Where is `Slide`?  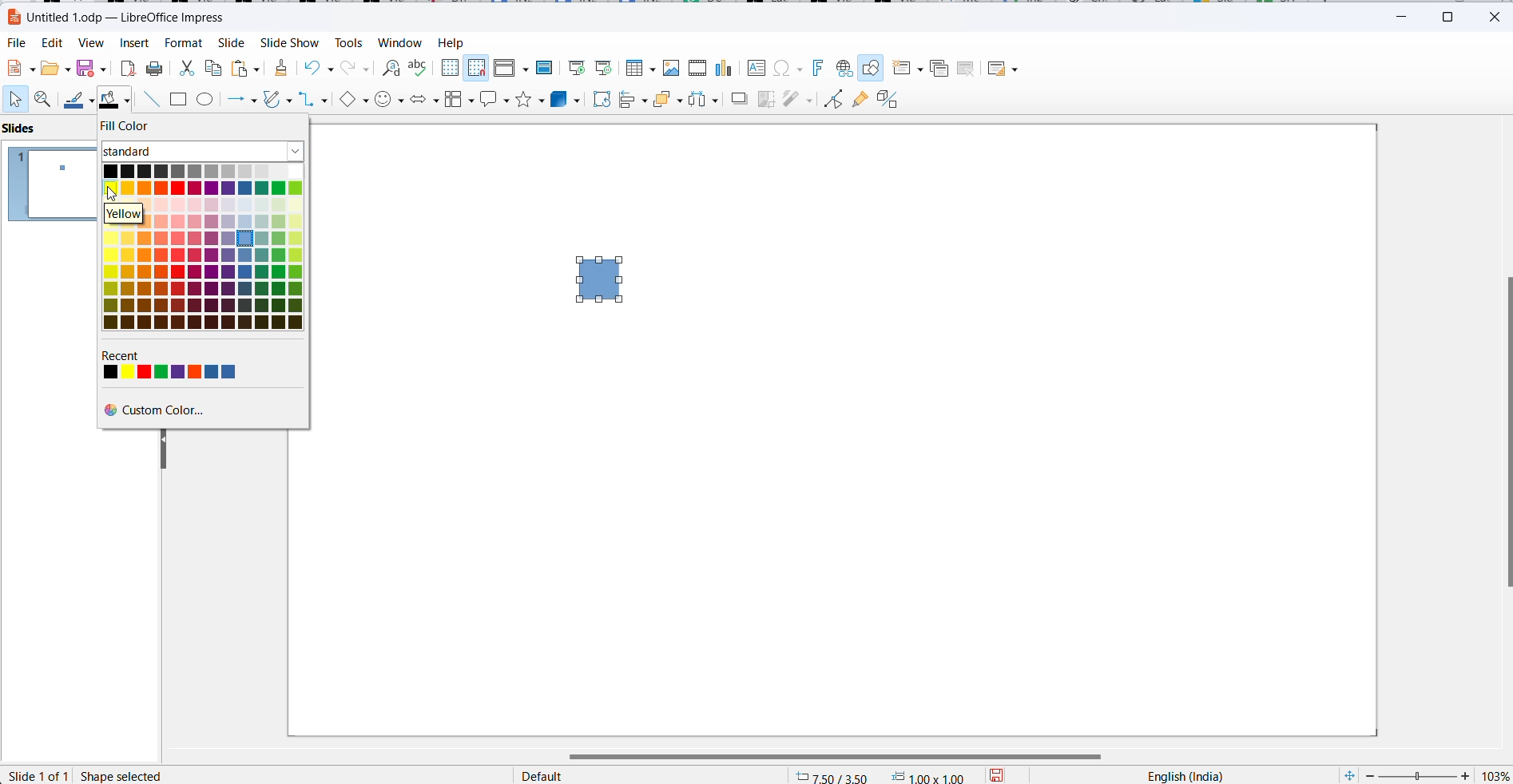
Slide is located at coordinates (230, 44).